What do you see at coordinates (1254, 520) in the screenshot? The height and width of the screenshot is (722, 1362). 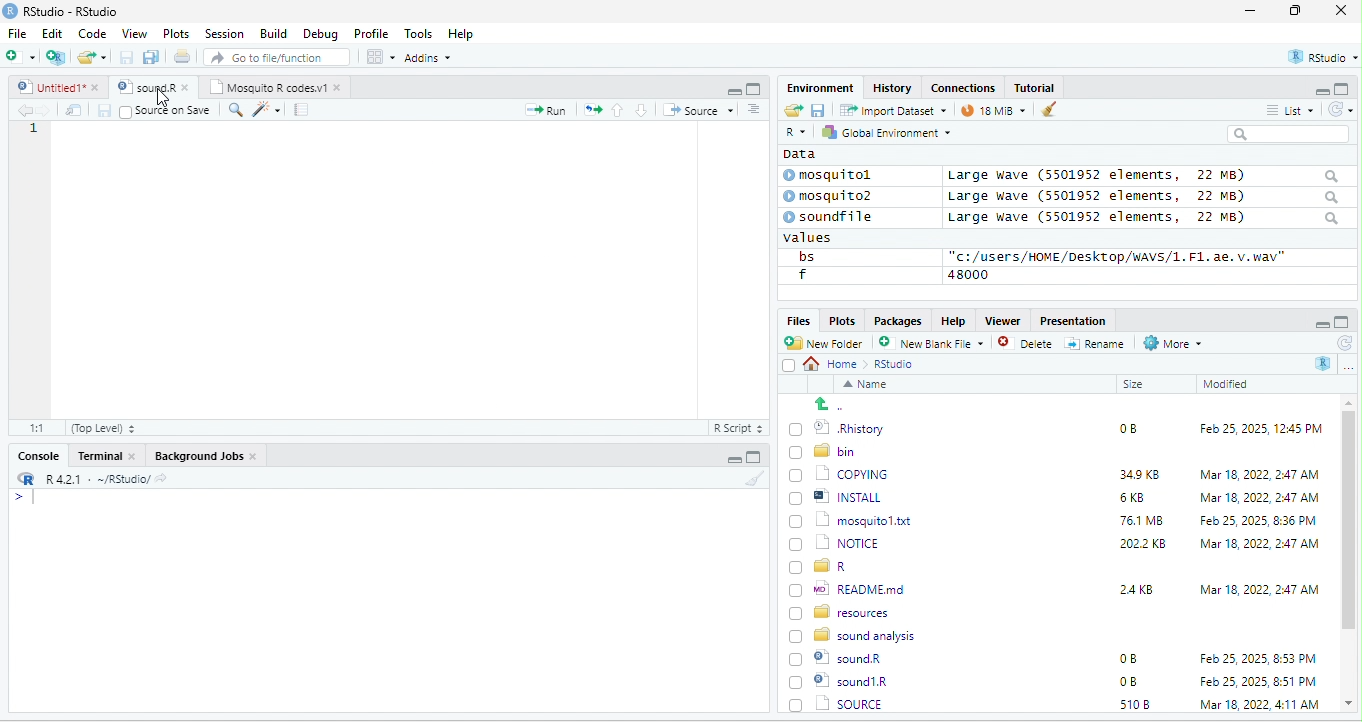 I see `Feb 25, 2025, 8:36 PM` at bounding box center [1254, 520].